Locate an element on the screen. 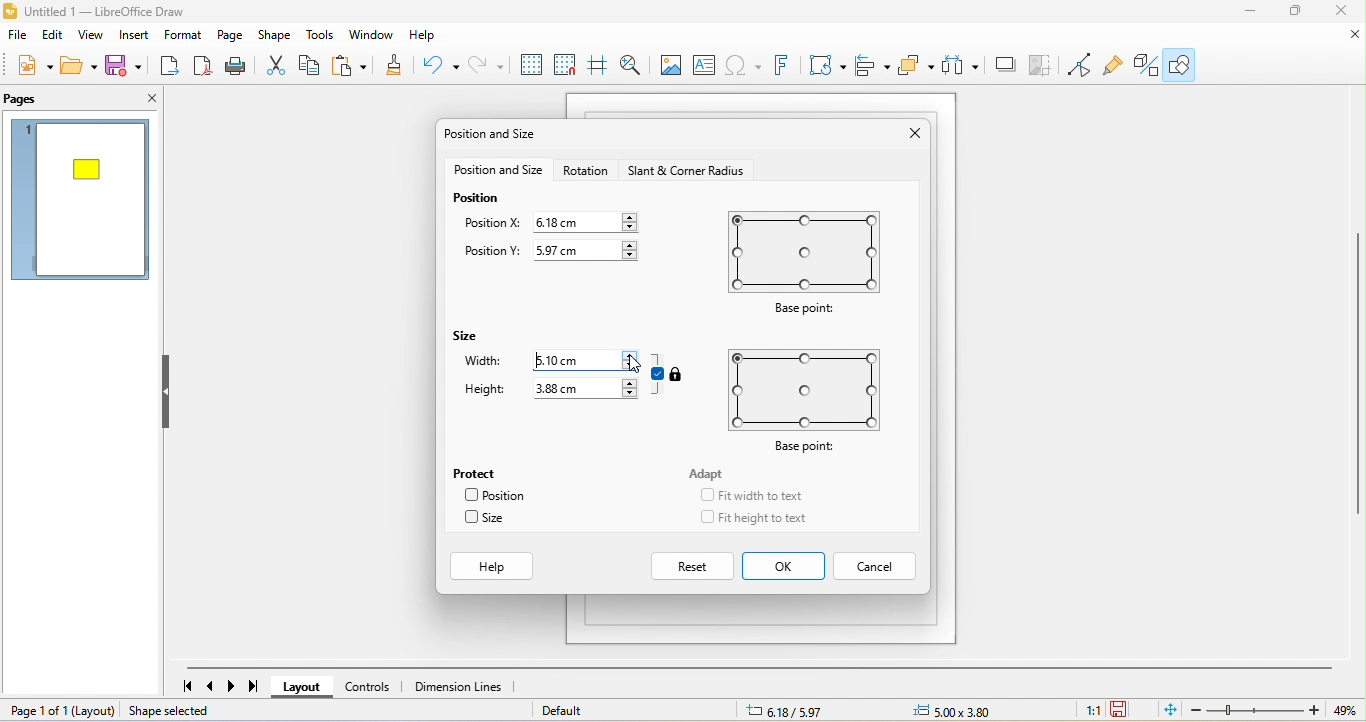  previous page is located at coordinates (211, 687).